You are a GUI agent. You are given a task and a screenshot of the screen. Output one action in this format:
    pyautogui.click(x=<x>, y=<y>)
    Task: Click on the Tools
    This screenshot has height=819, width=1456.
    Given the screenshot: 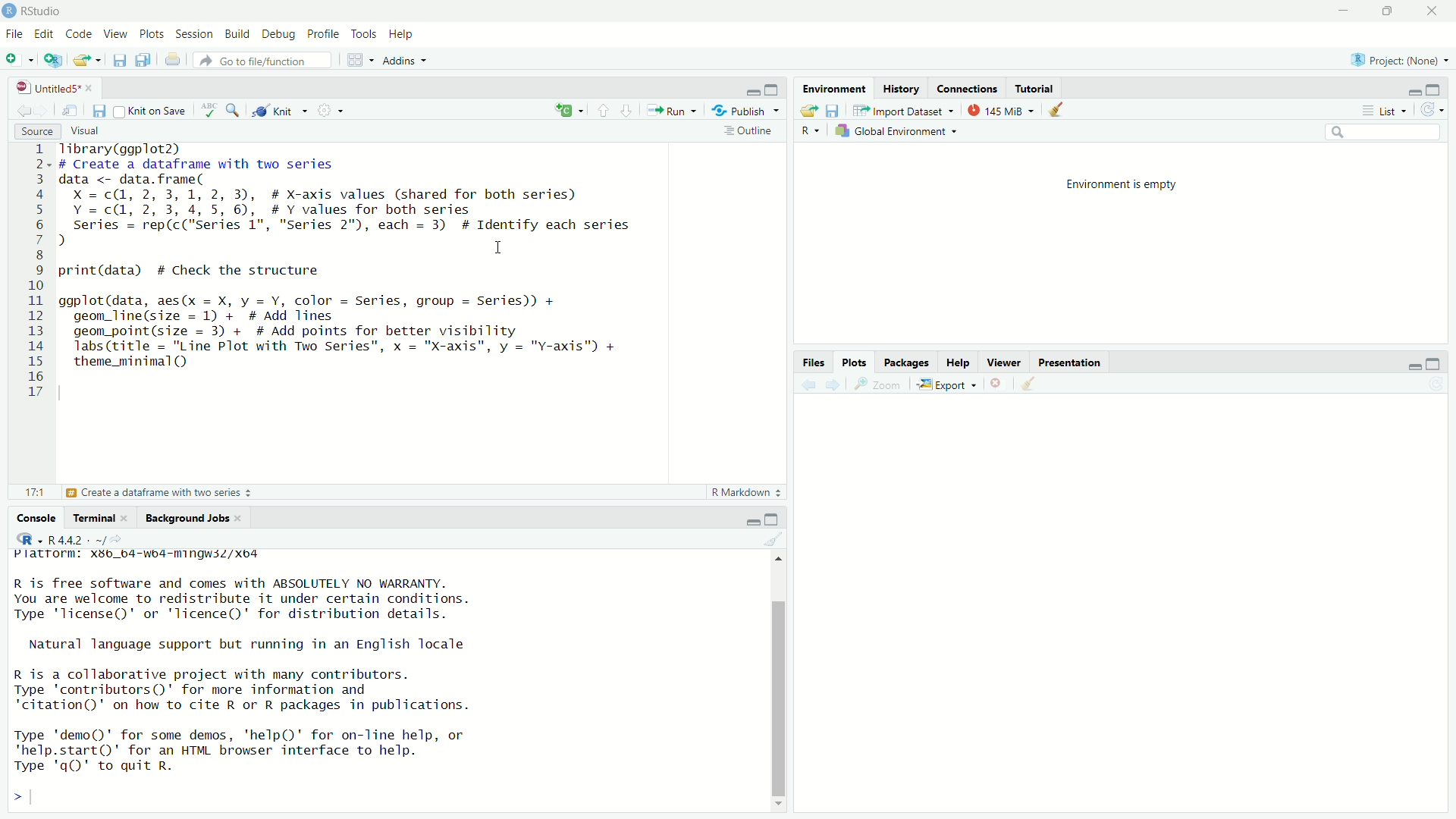 What is the action you would take?
    pyautogui.click(x=367, y=36)
    